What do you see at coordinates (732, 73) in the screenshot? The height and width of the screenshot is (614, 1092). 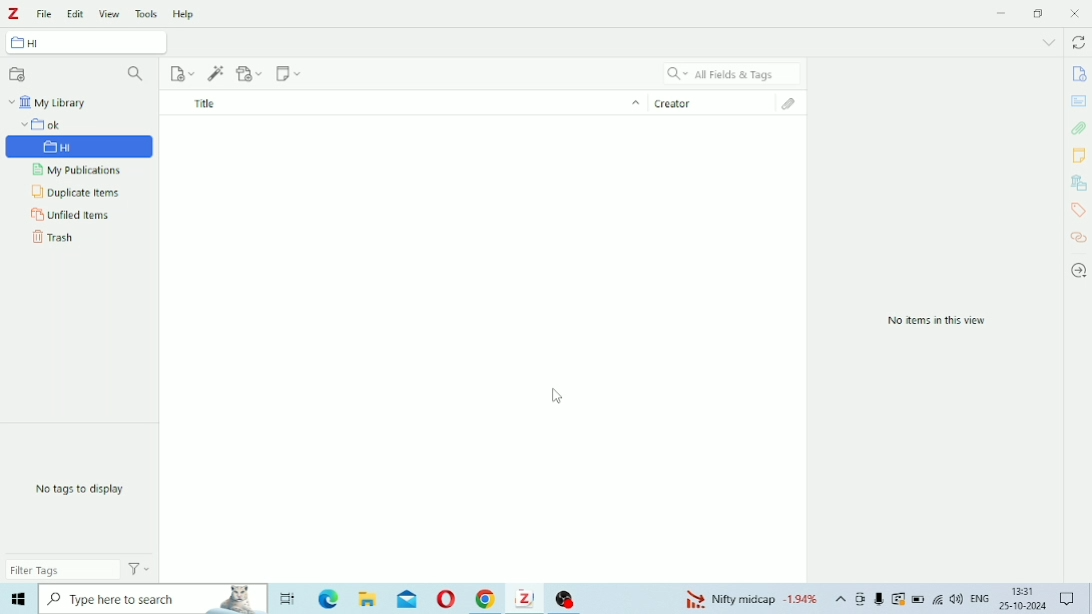 I see `All Fields & Tags` at bounding box center [732, 73].